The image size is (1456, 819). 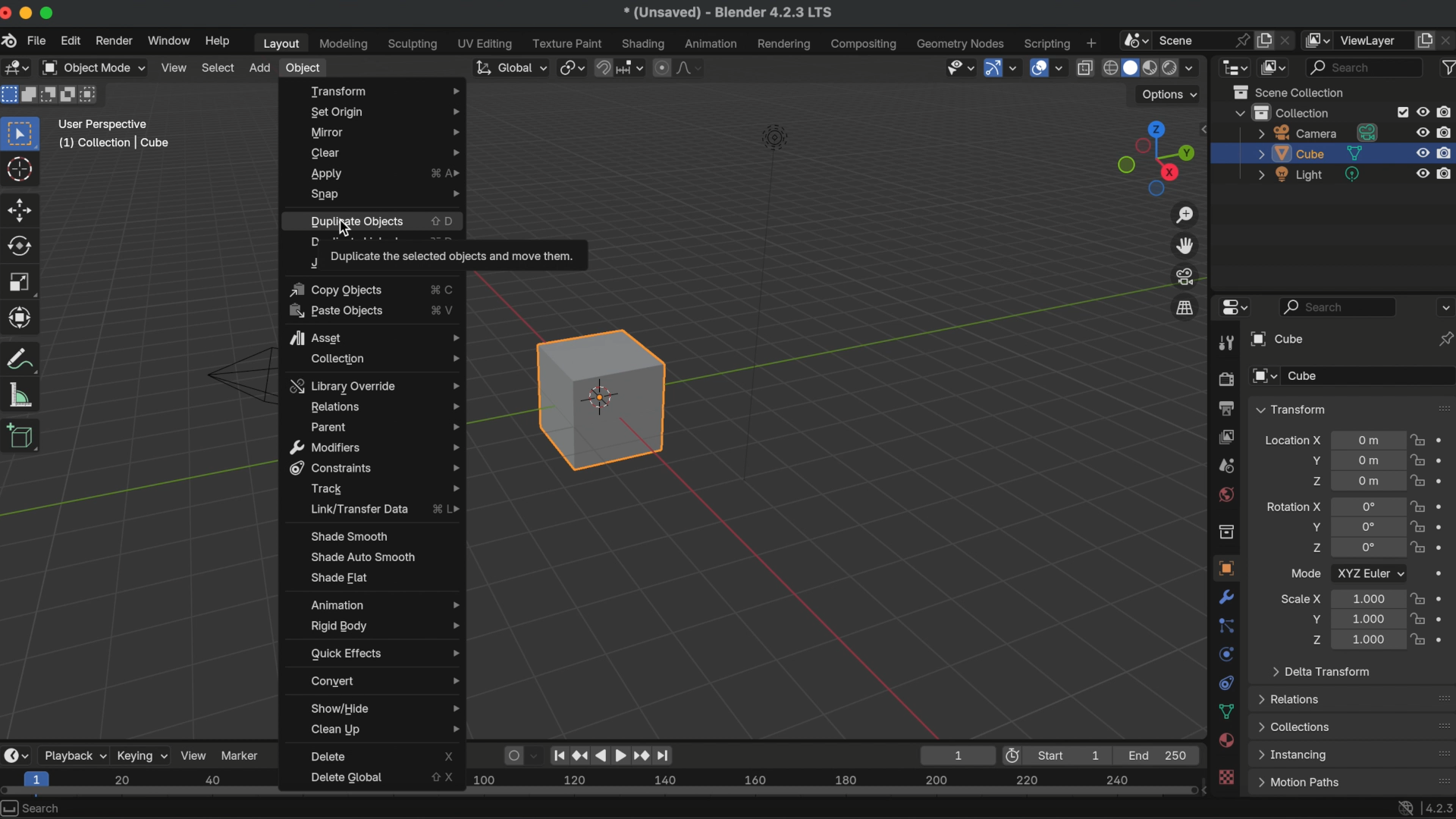 I want to click on mode intersect existing condition, so click(x=92, y=94).